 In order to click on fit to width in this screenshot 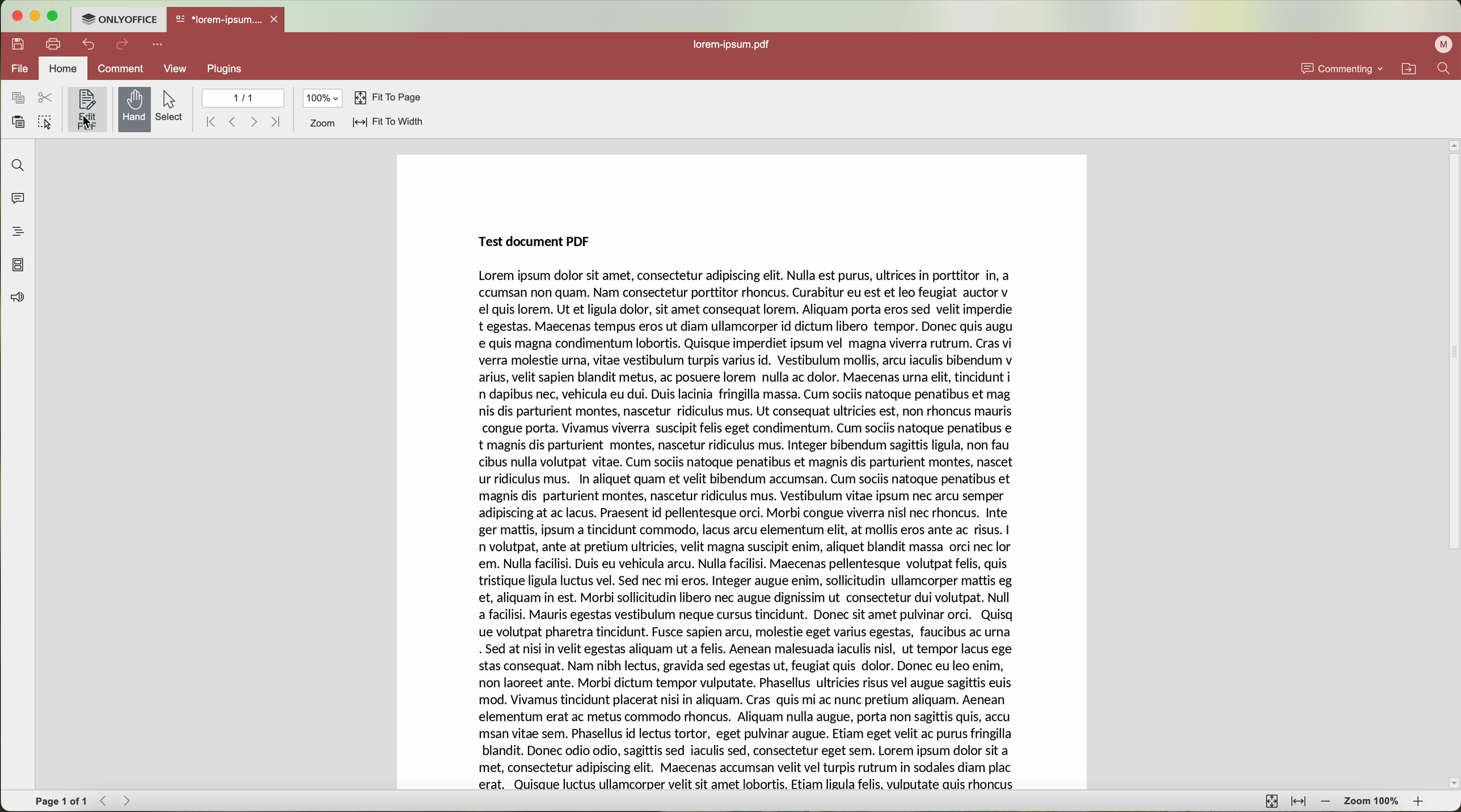, I will do `click(1300, 802)`.